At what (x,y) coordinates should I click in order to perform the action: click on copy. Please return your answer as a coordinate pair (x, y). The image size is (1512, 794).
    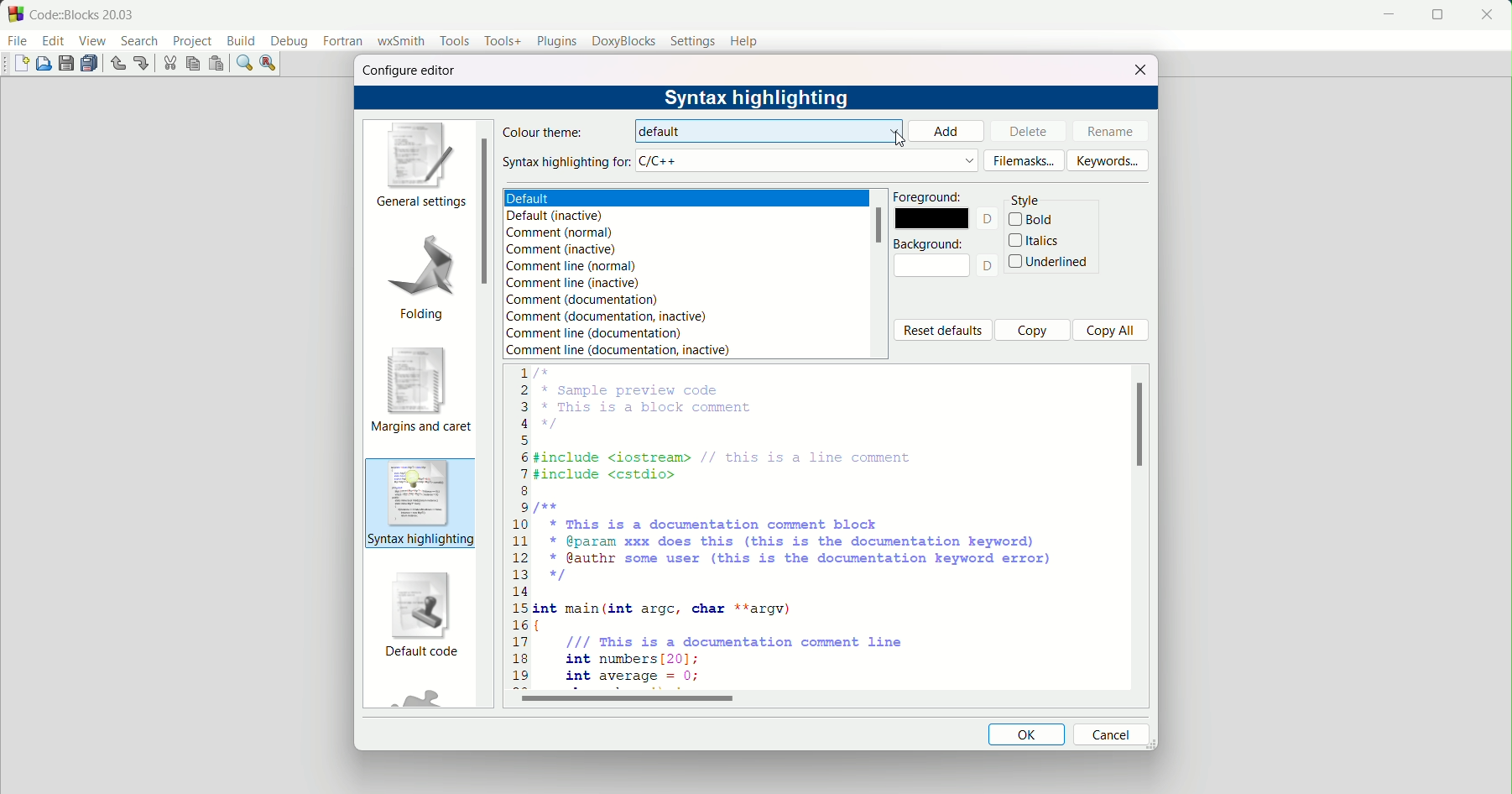
    Looking at the image, I should click on (192, 63).